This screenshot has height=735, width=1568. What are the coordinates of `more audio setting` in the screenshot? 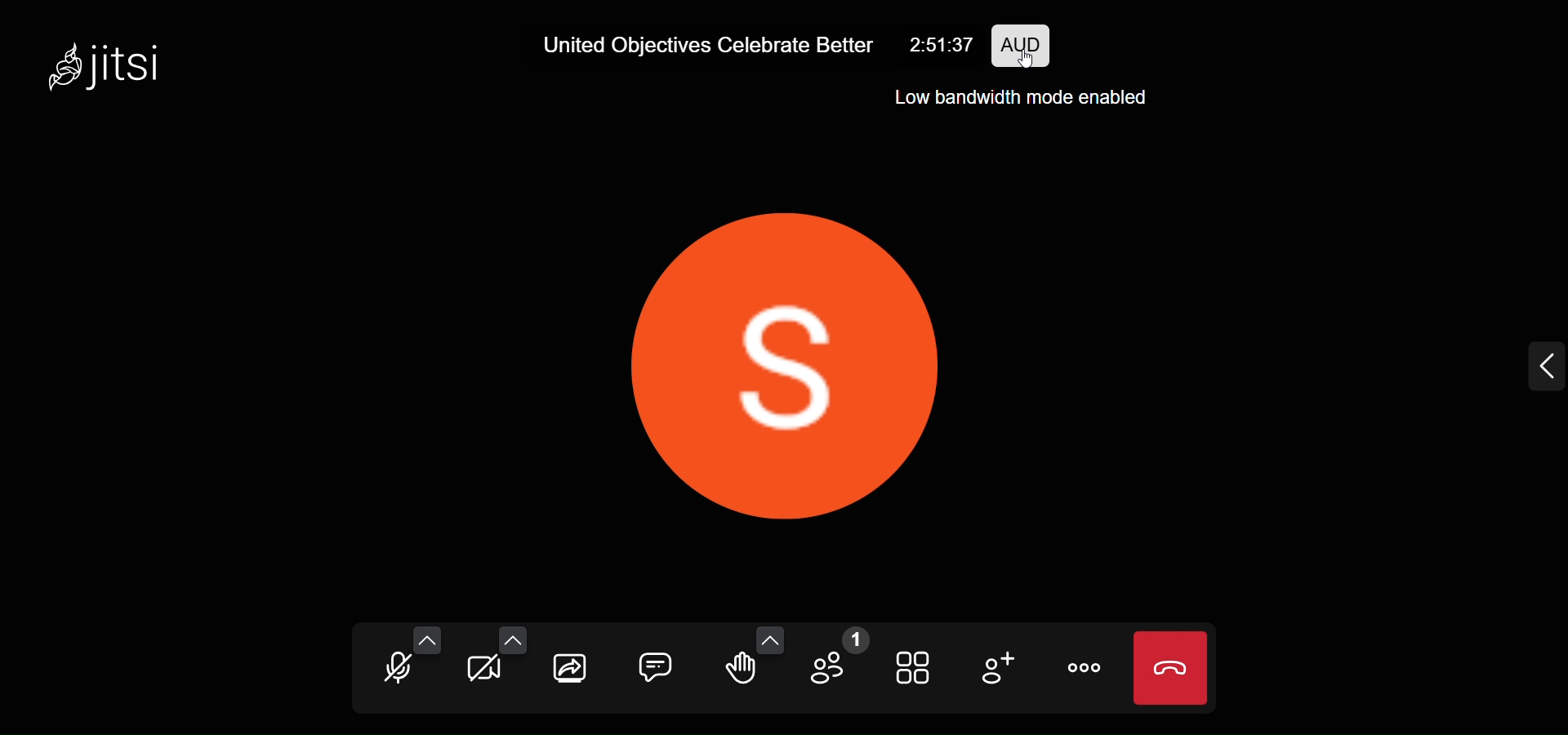 It's located at (426, 640).